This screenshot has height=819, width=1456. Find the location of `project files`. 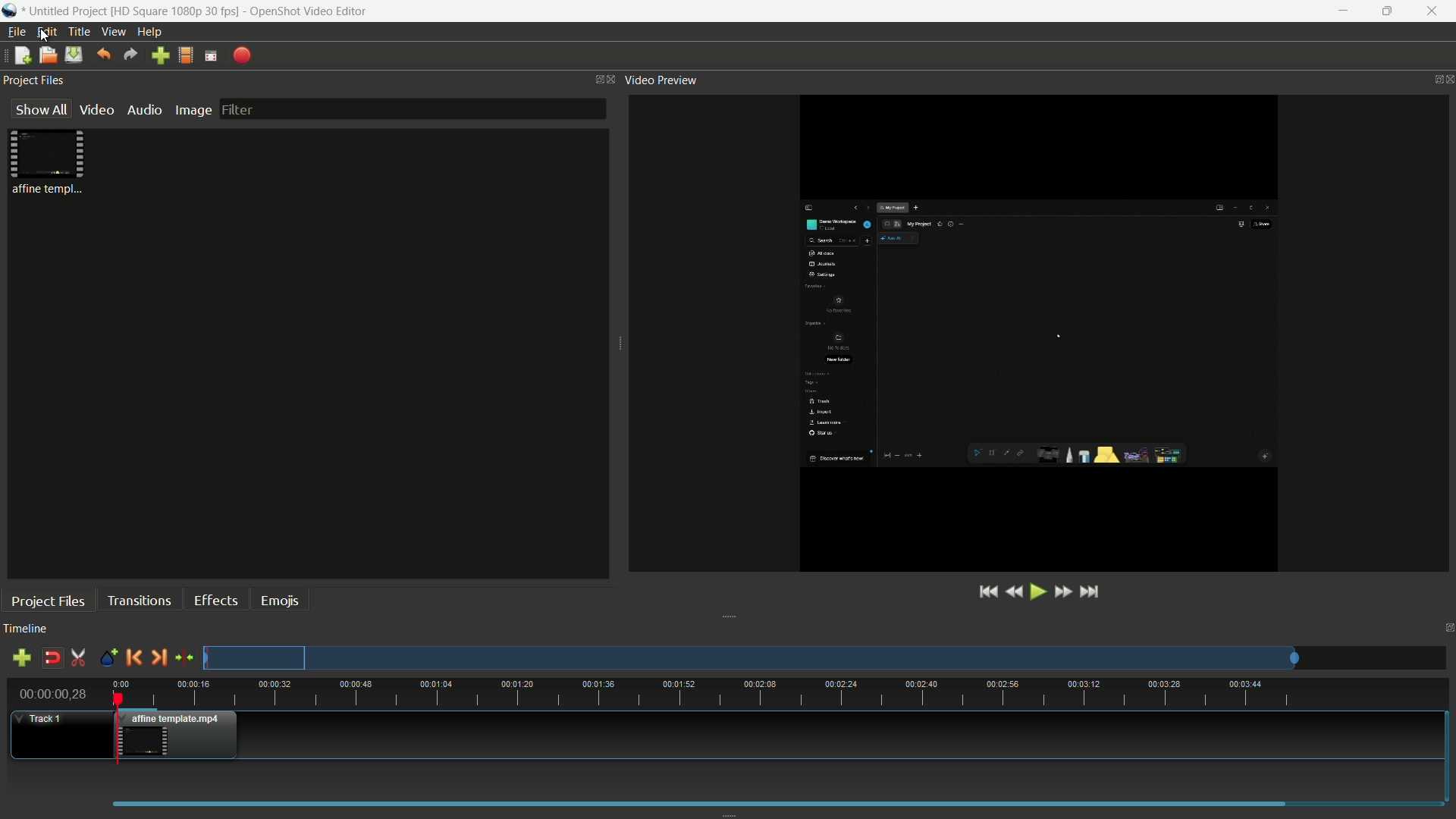

project files is located at coordinates (36, 81).